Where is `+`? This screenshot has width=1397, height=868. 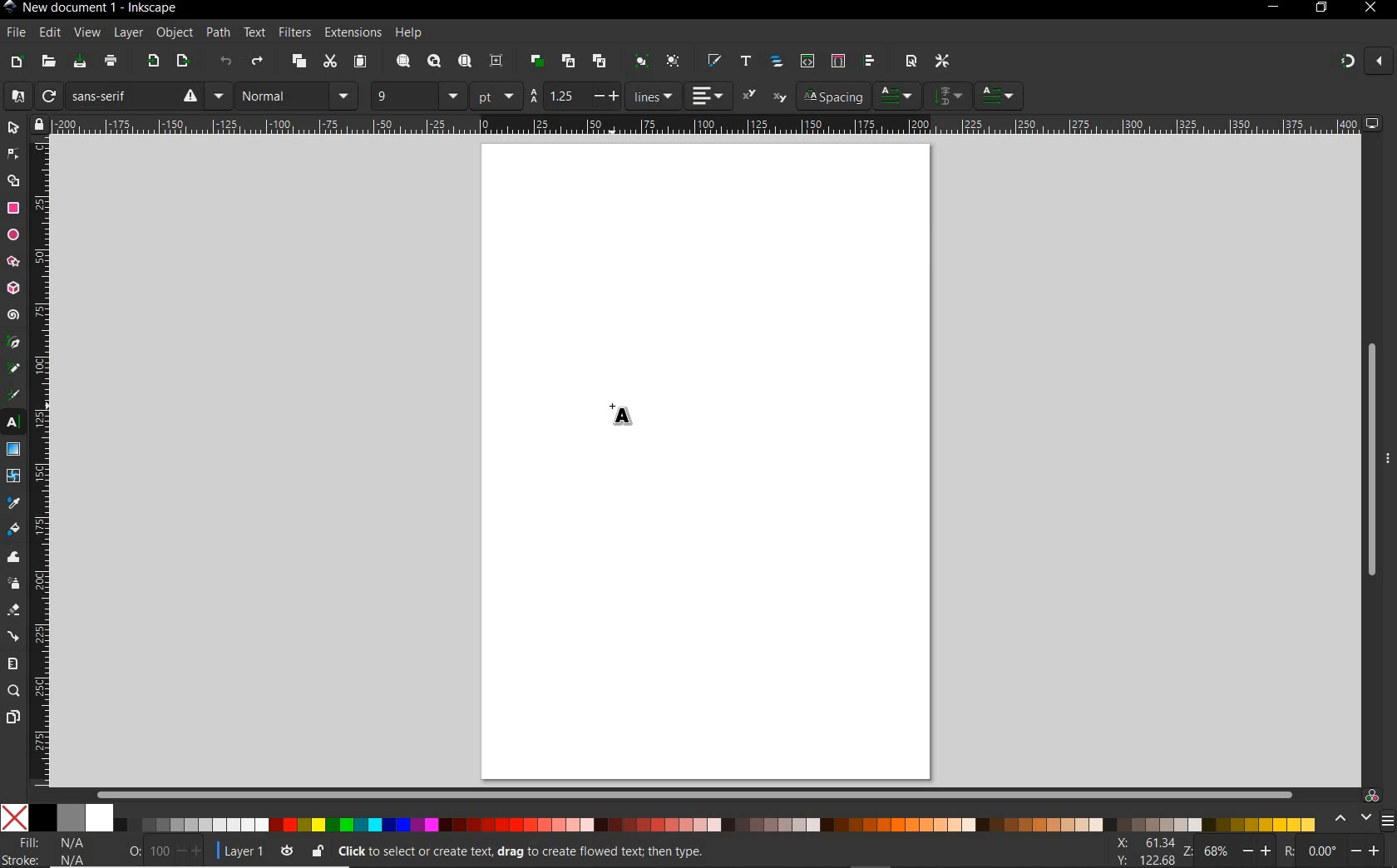
+ is located at coordinates (616, 95).